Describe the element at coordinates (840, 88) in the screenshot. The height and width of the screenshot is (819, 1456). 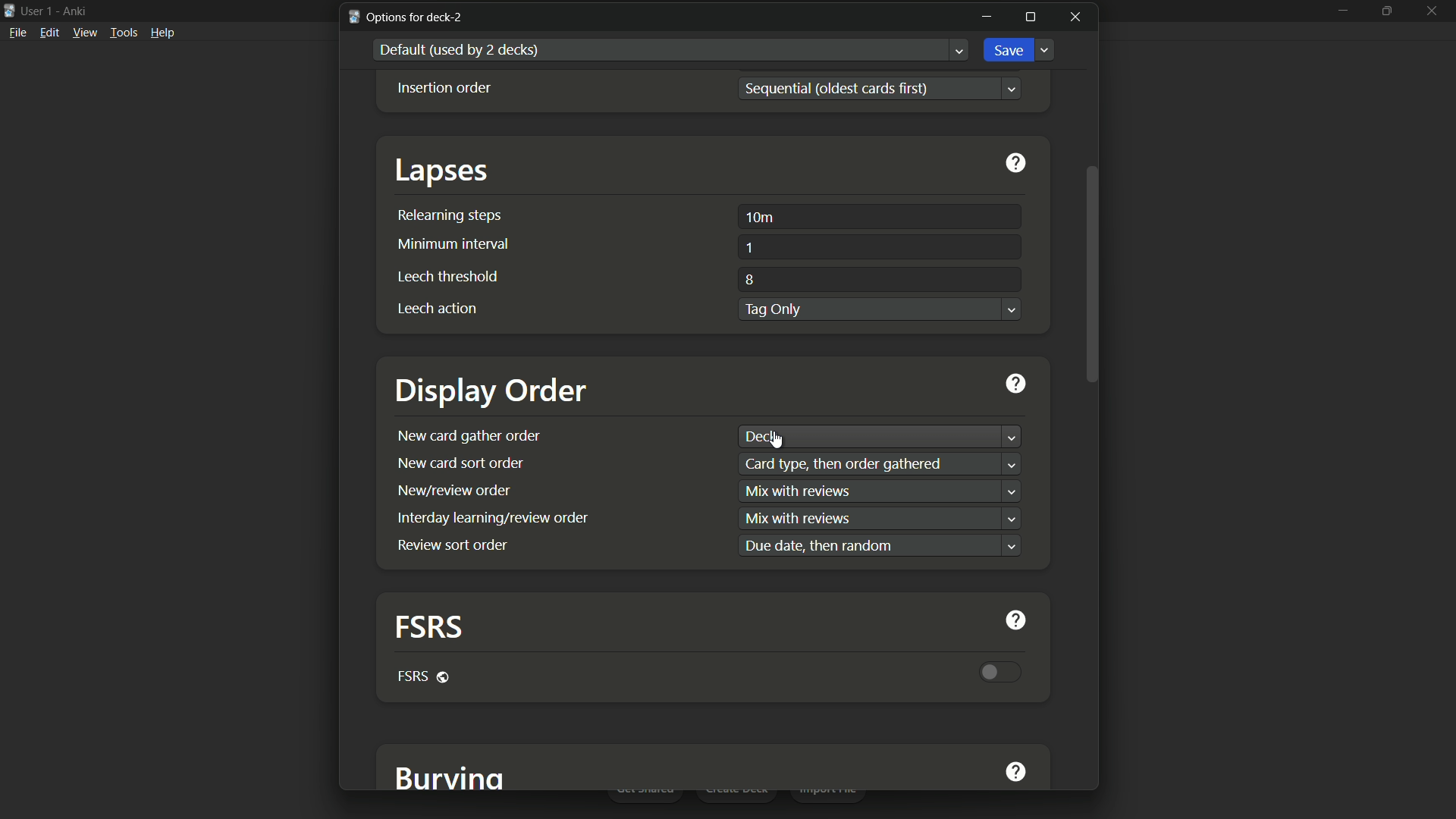
I see `sequential(oldest cards first)` at that location.